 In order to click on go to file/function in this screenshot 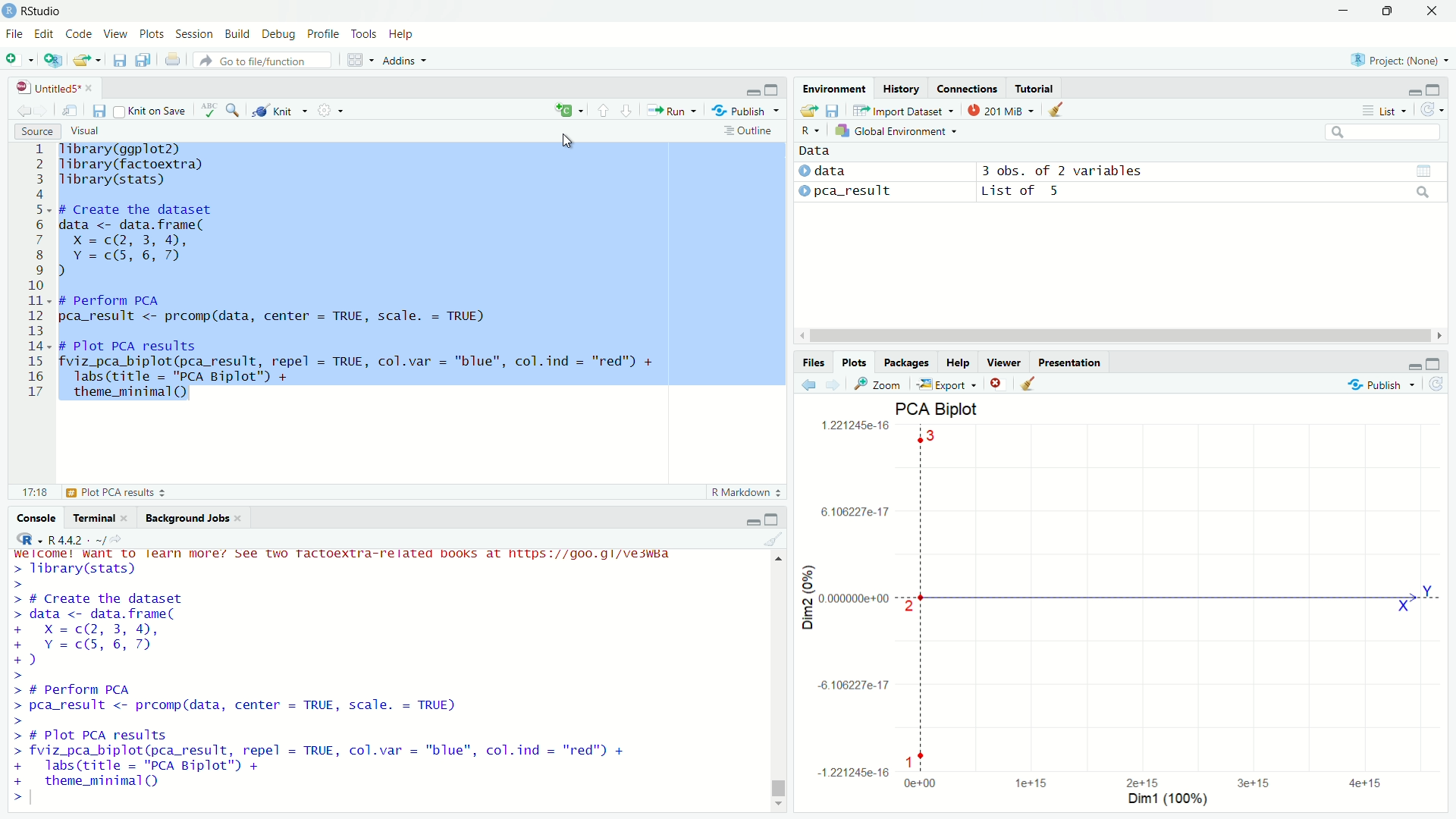, I will do `click(264, 60)`.